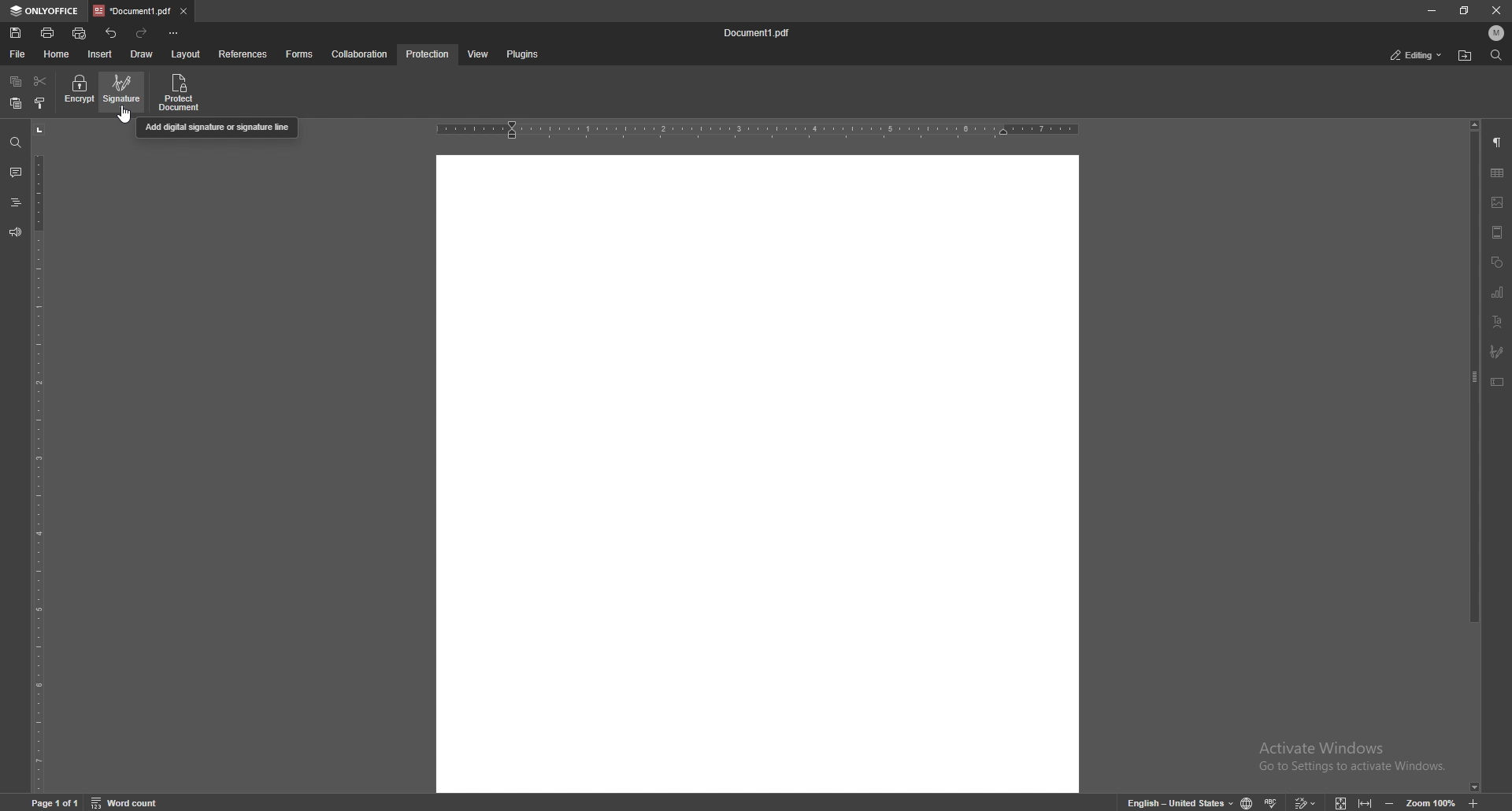 This screenshot has width=1512, height=811. I want to click on layout, so click(185, 55).